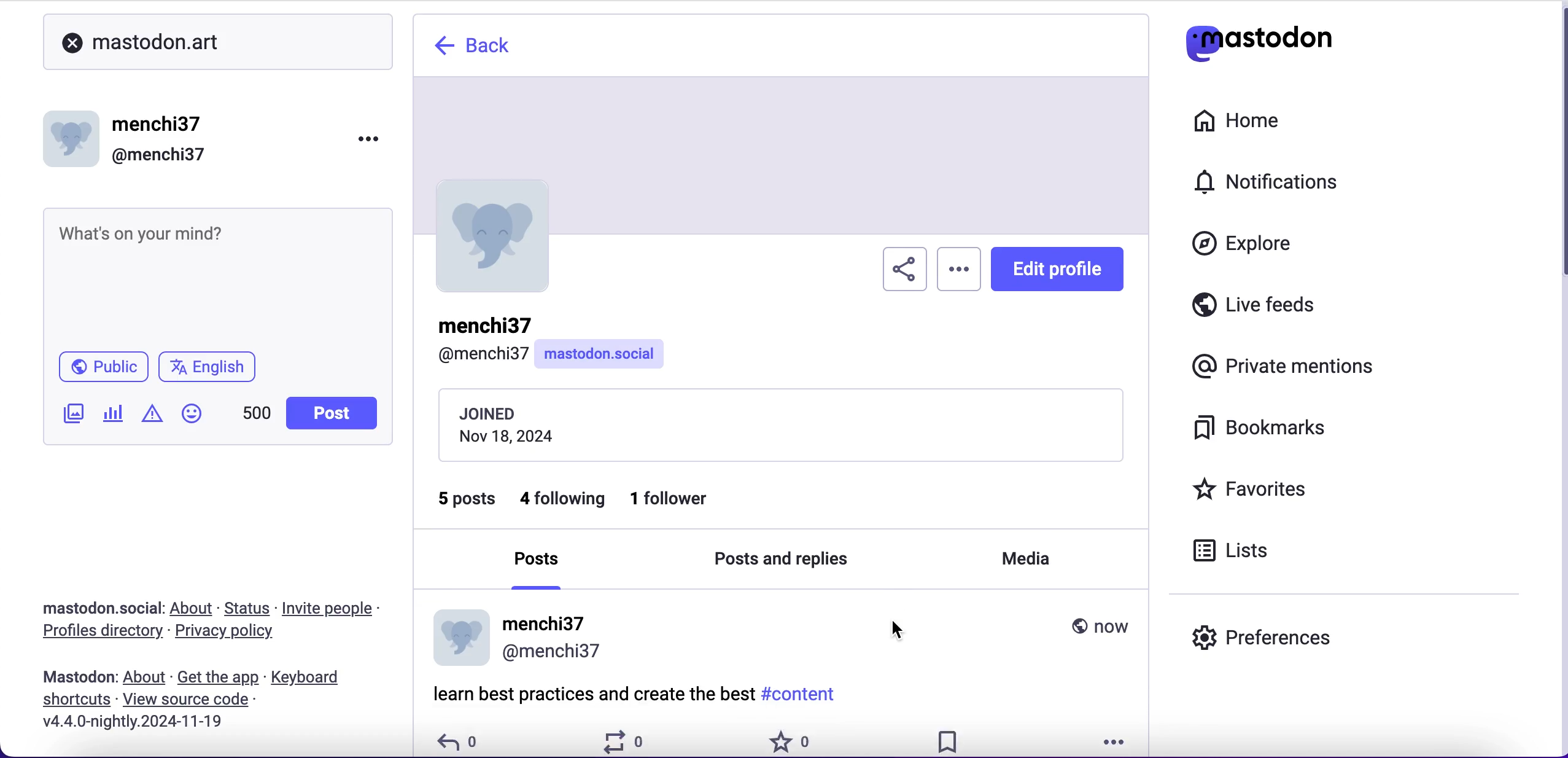 The height and width of the screenshot is (758, 1568). Describe the element at coordinates (1562, 154) in the screenshot. I see `scroll bar` at that location.